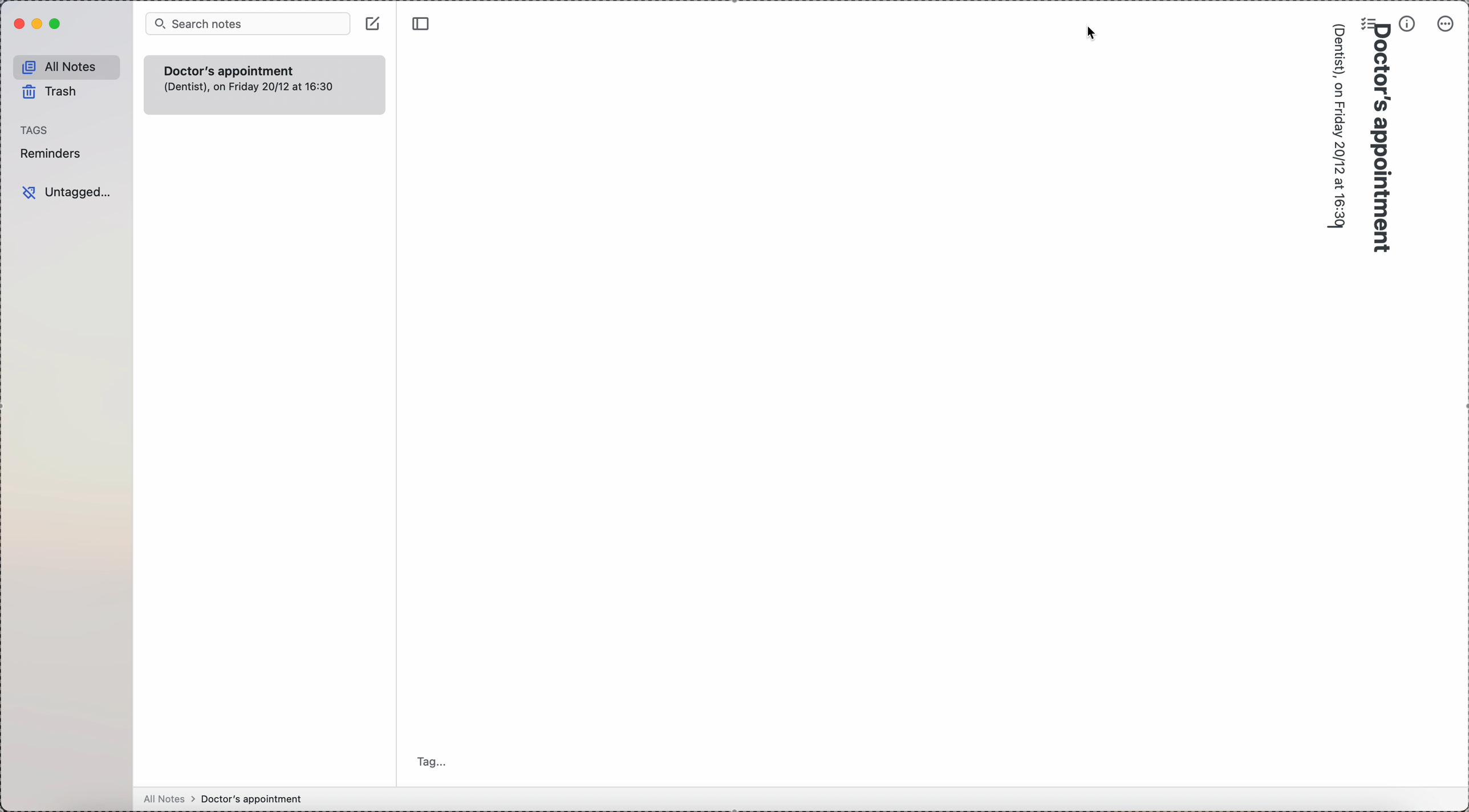  Describe the element at coordinates (431, 761) in the screenshot. I see `tag` at that location.